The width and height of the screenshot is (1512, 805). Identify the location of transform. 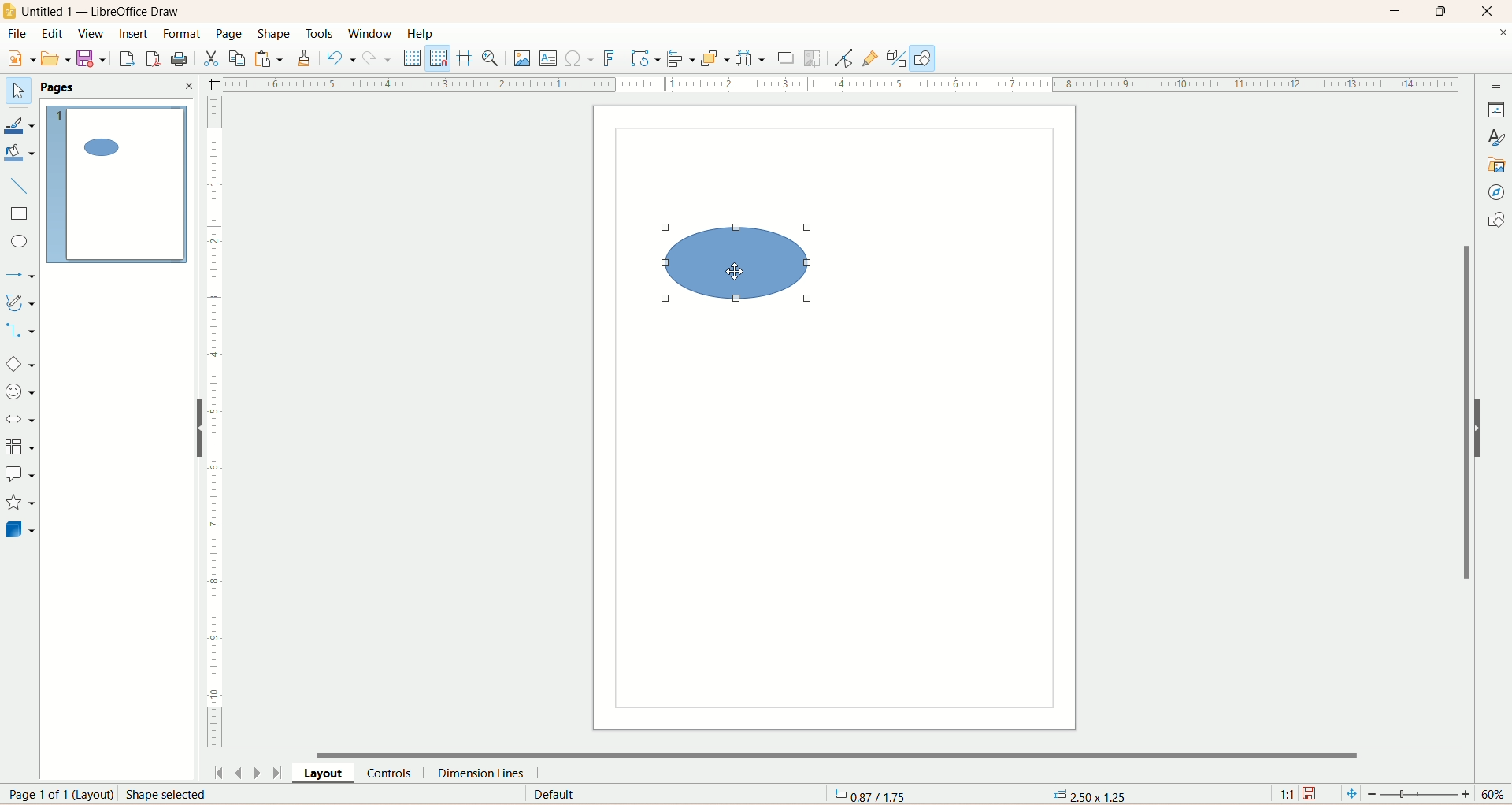
(642, 59).